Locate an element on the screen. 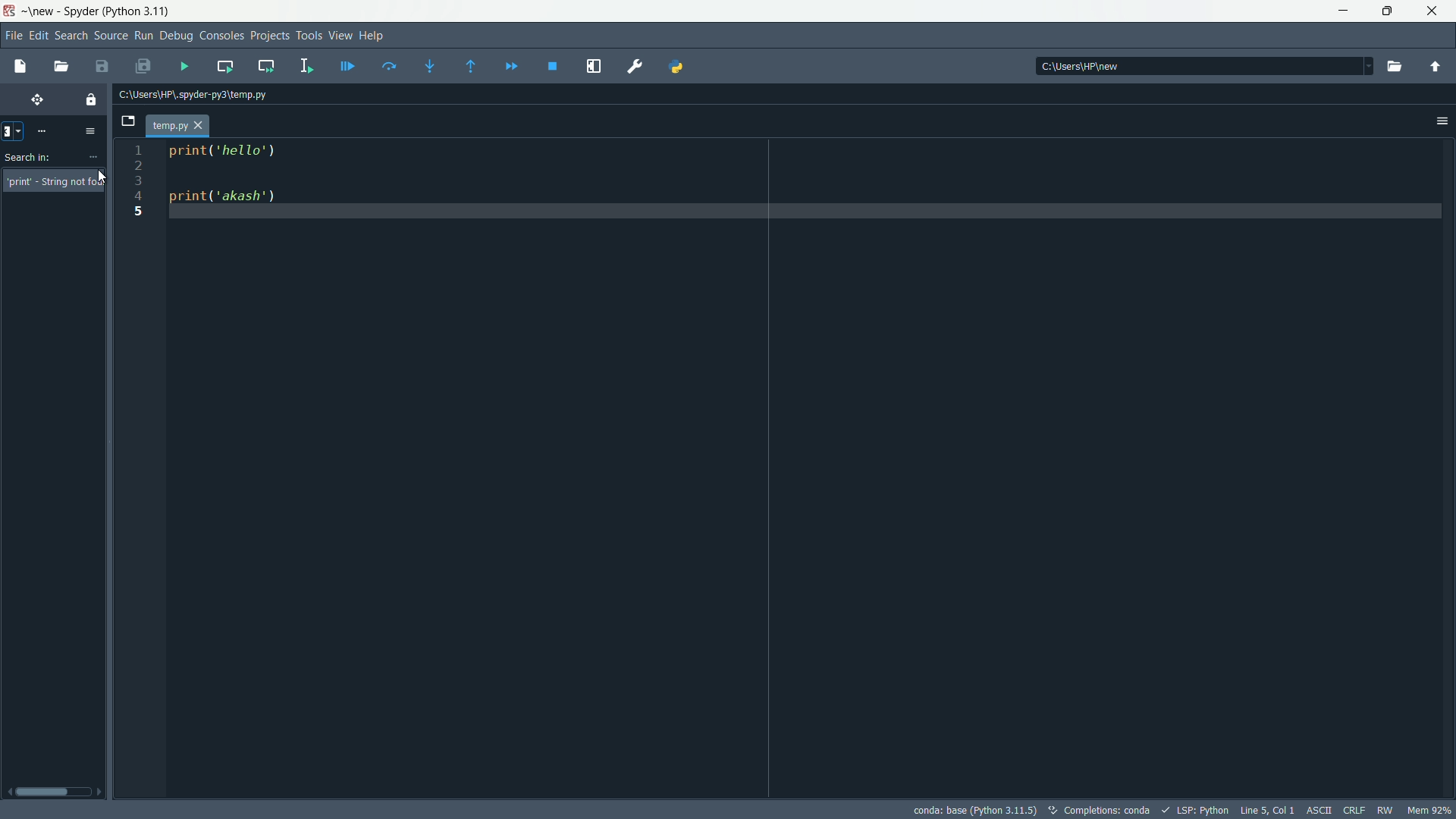 The height and width of the screenshot is (819, 1456). run current cell is located at coordinates (223, 66).